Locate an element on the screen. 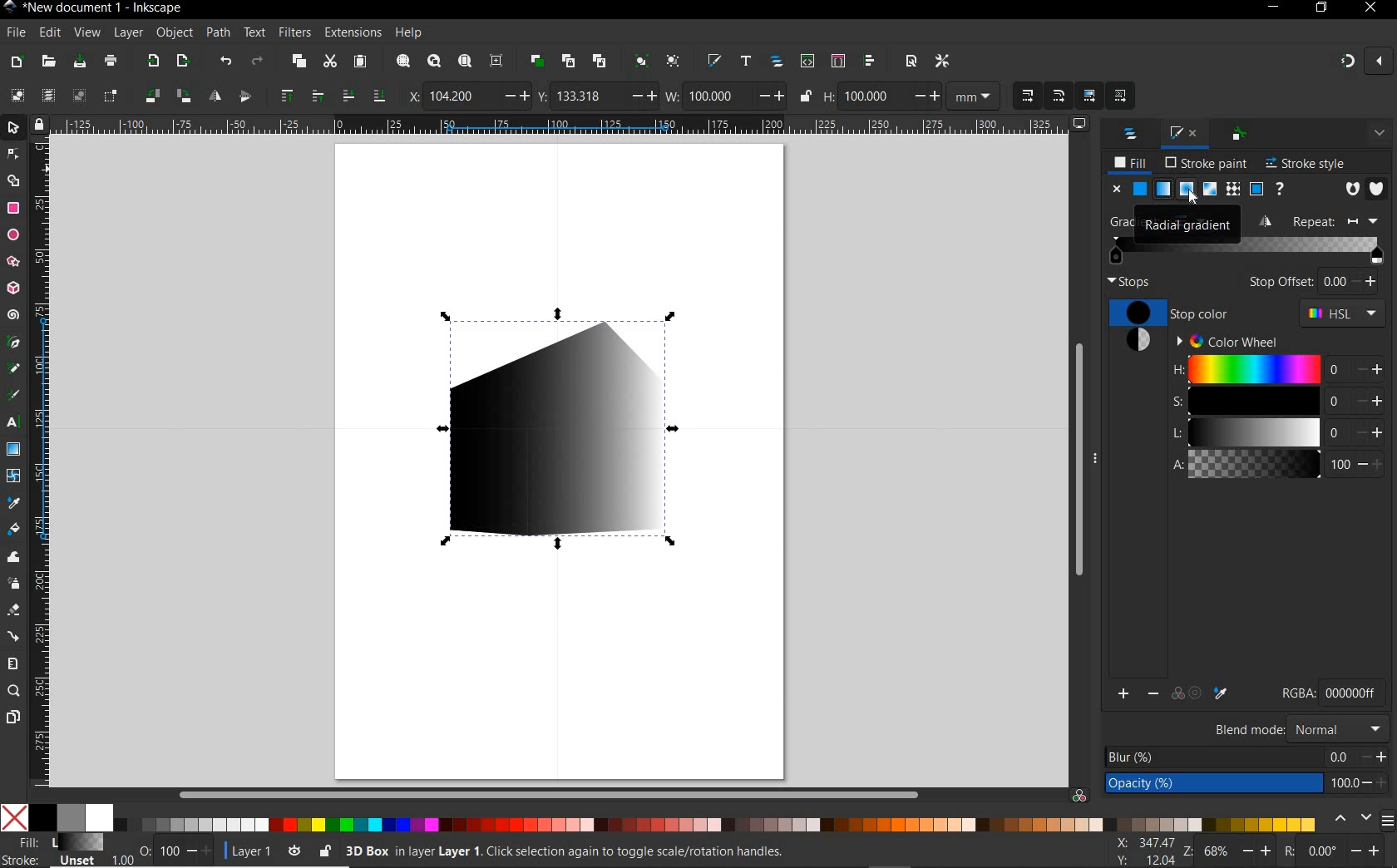 The height and width of the screenshot is (868, 1397). WHENSCALING OBJECTS is located at coordinates (1059, 96).